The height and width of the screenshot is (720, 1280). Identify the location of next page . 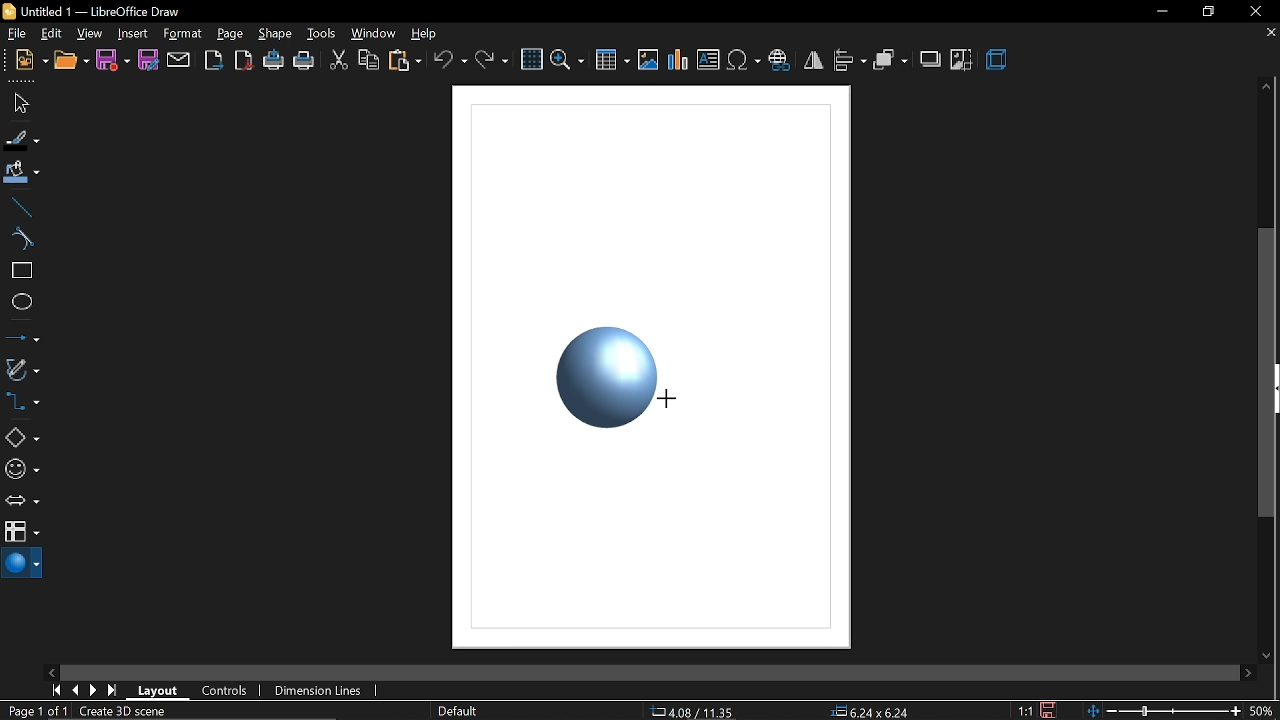
(96, 689).